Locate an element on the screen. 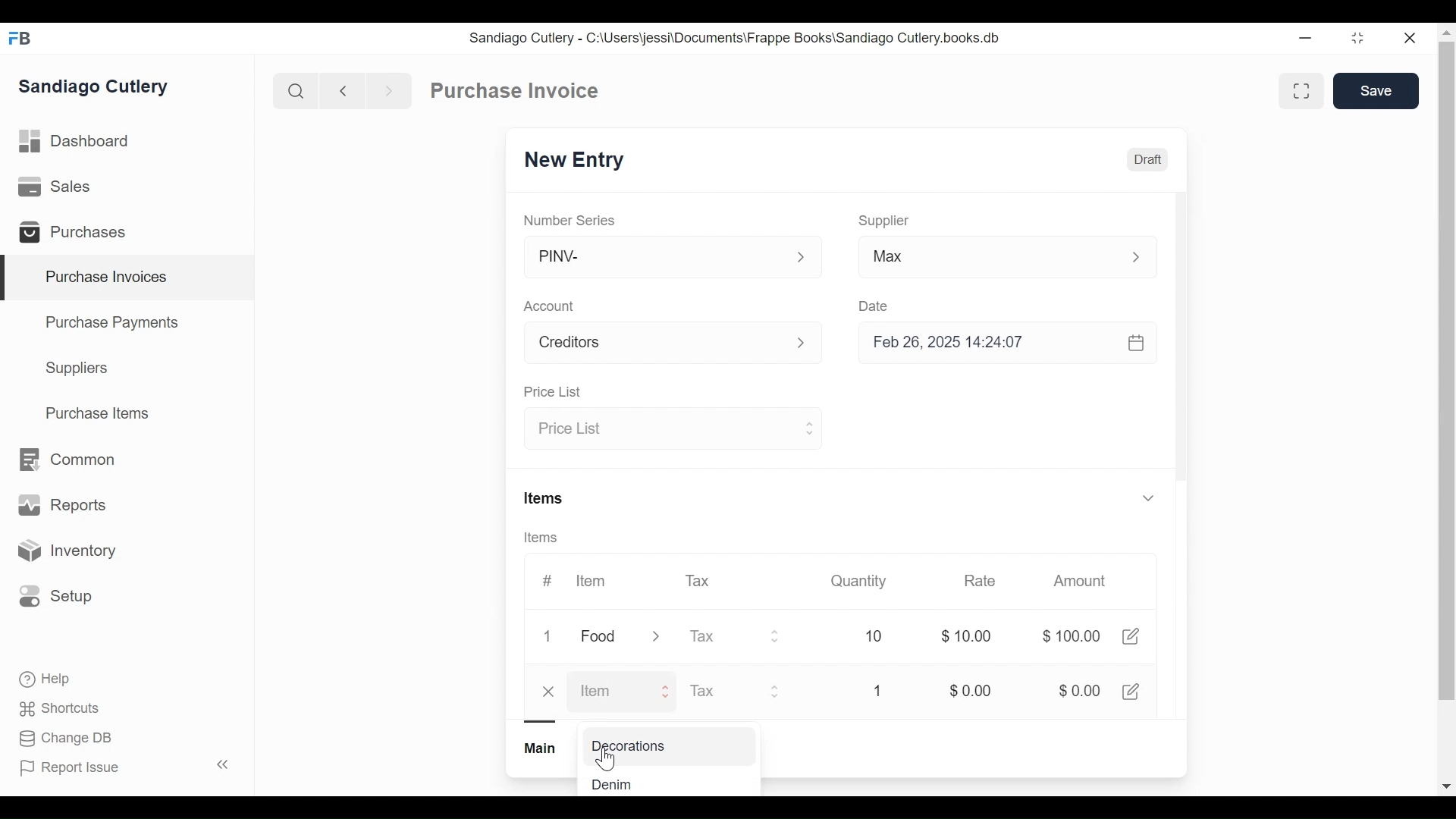  Account is located at coordinates (553, 306).